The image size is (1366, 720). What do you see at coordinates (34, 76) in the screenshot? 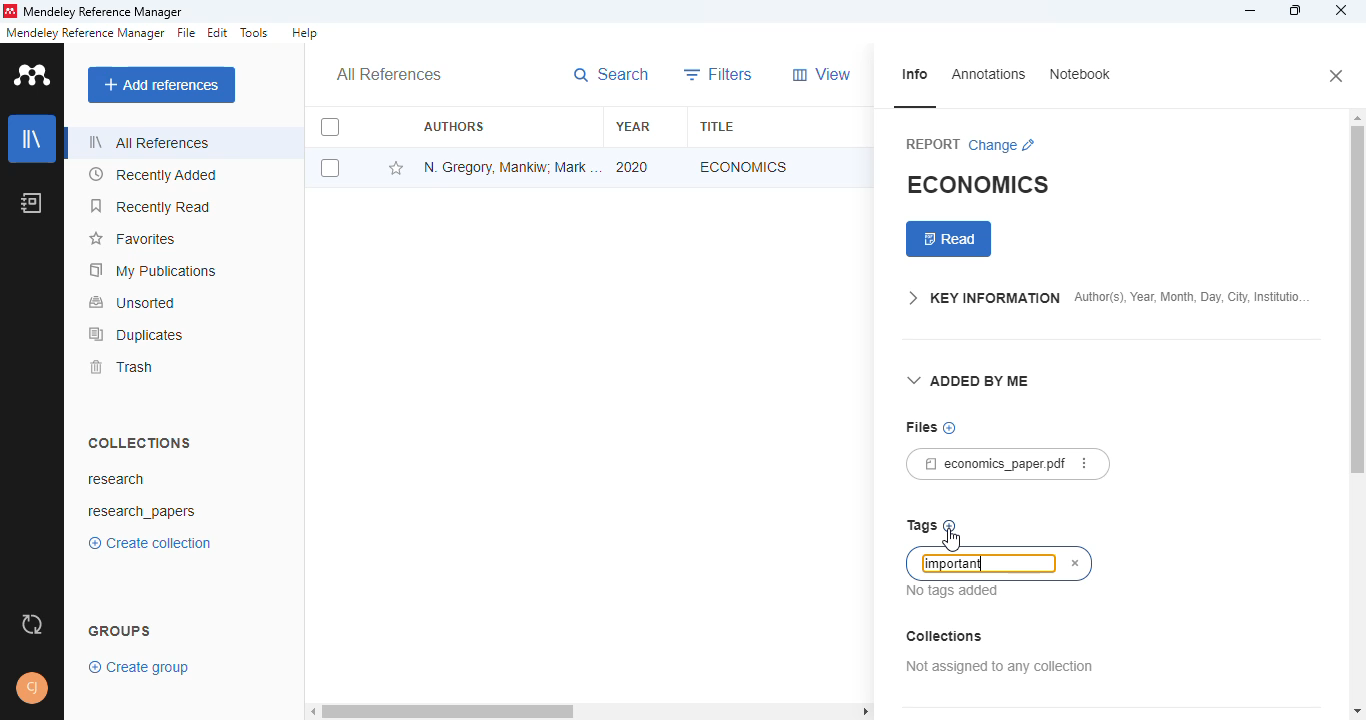
I see `logo` at bounding box center [34, 76].